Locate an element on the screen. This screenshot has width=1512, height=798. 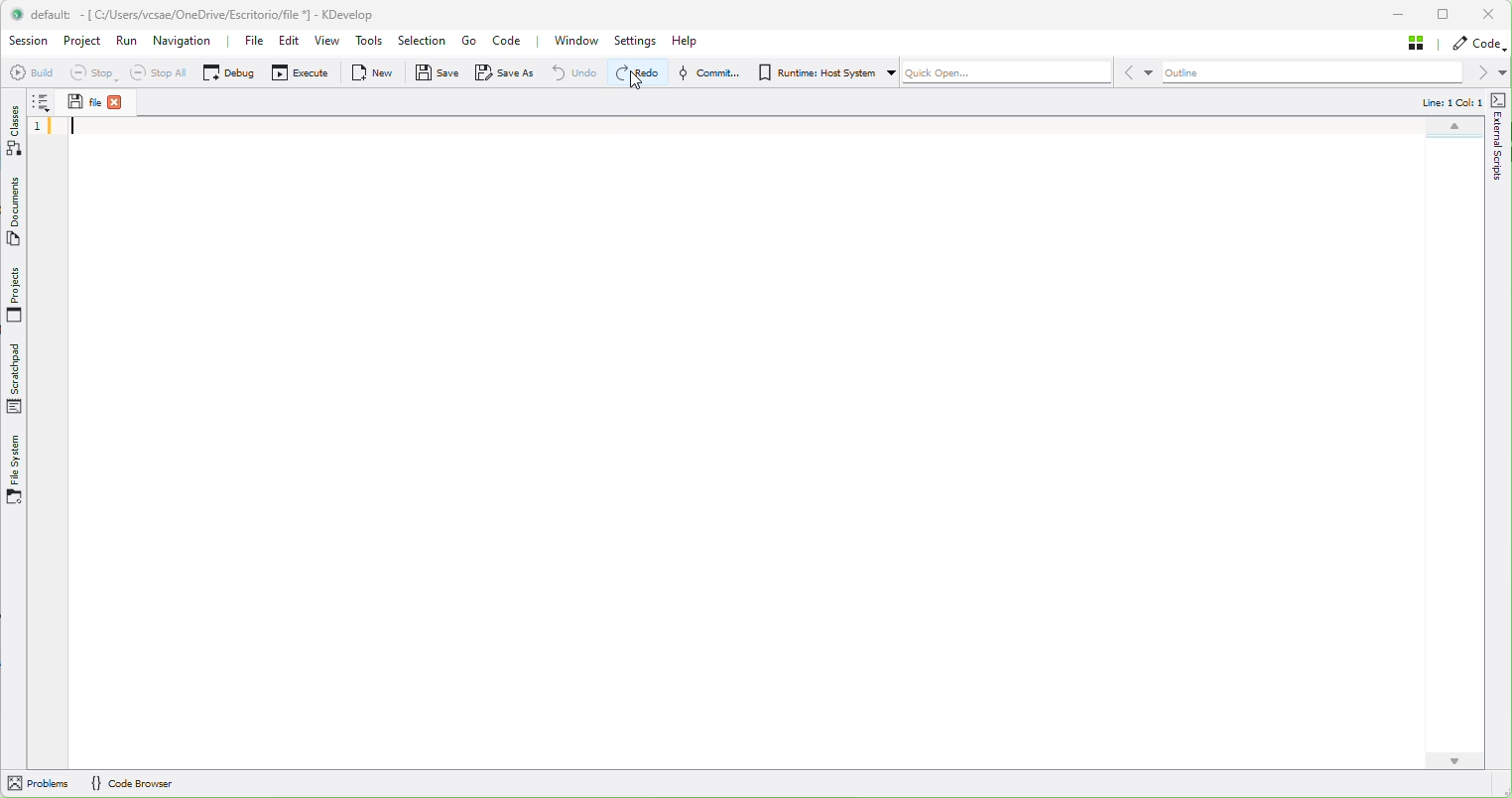
Stop all is located at coordinates (169, 73).